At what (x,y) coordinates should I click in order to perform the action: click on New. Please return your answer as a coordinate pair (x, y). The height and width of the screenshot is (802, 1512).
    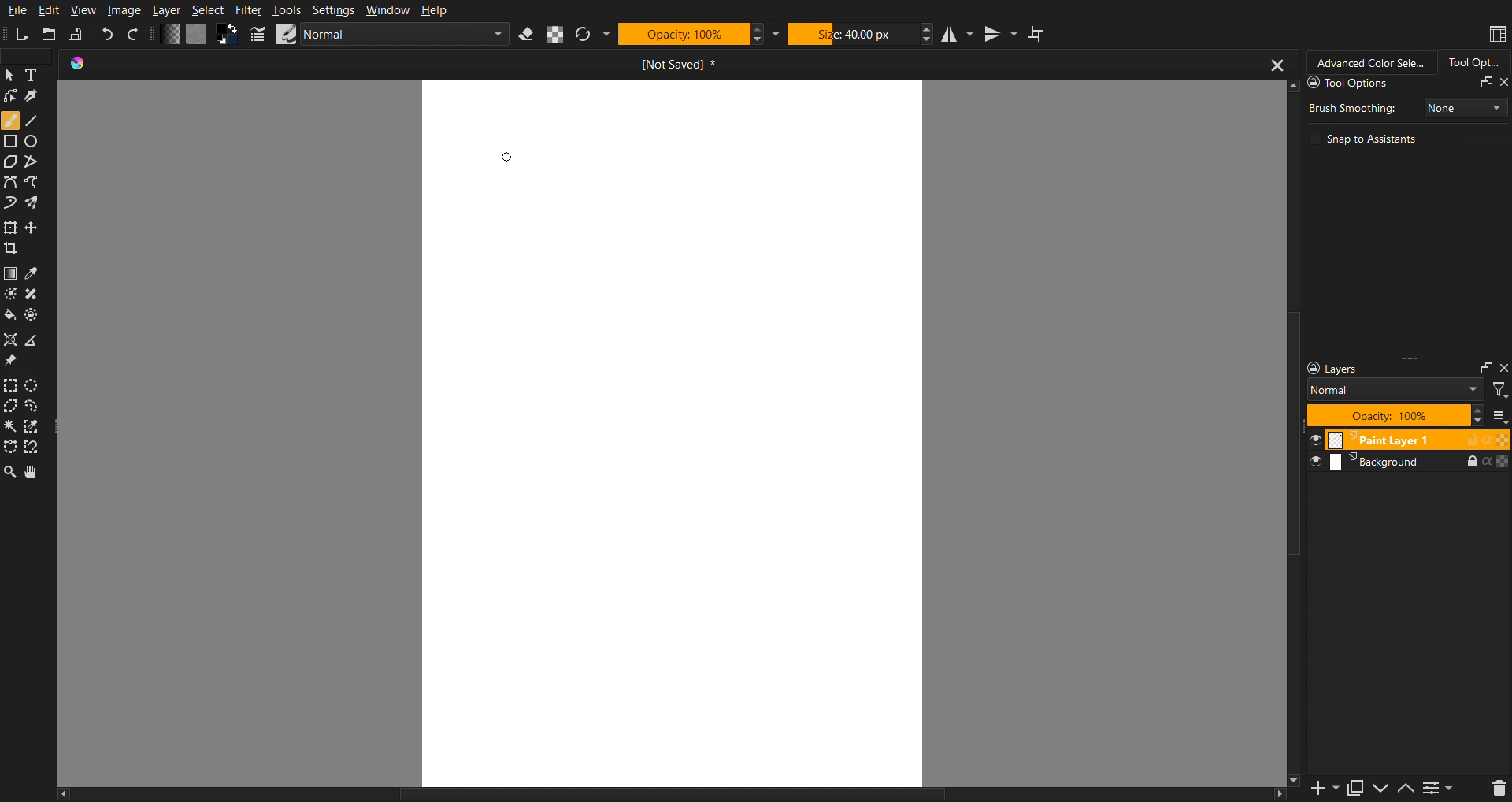
    Looking at the image, I should click on (23, 34).